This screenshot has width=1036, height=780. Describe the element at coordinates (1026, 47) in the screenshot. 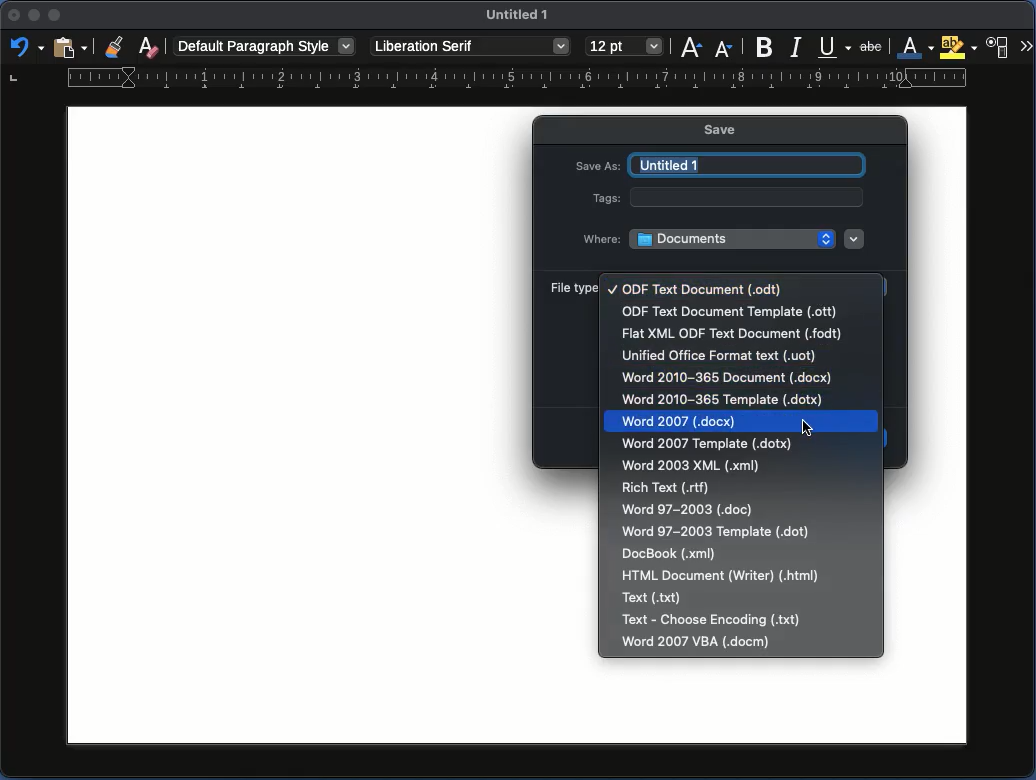

I see `More` at that location.